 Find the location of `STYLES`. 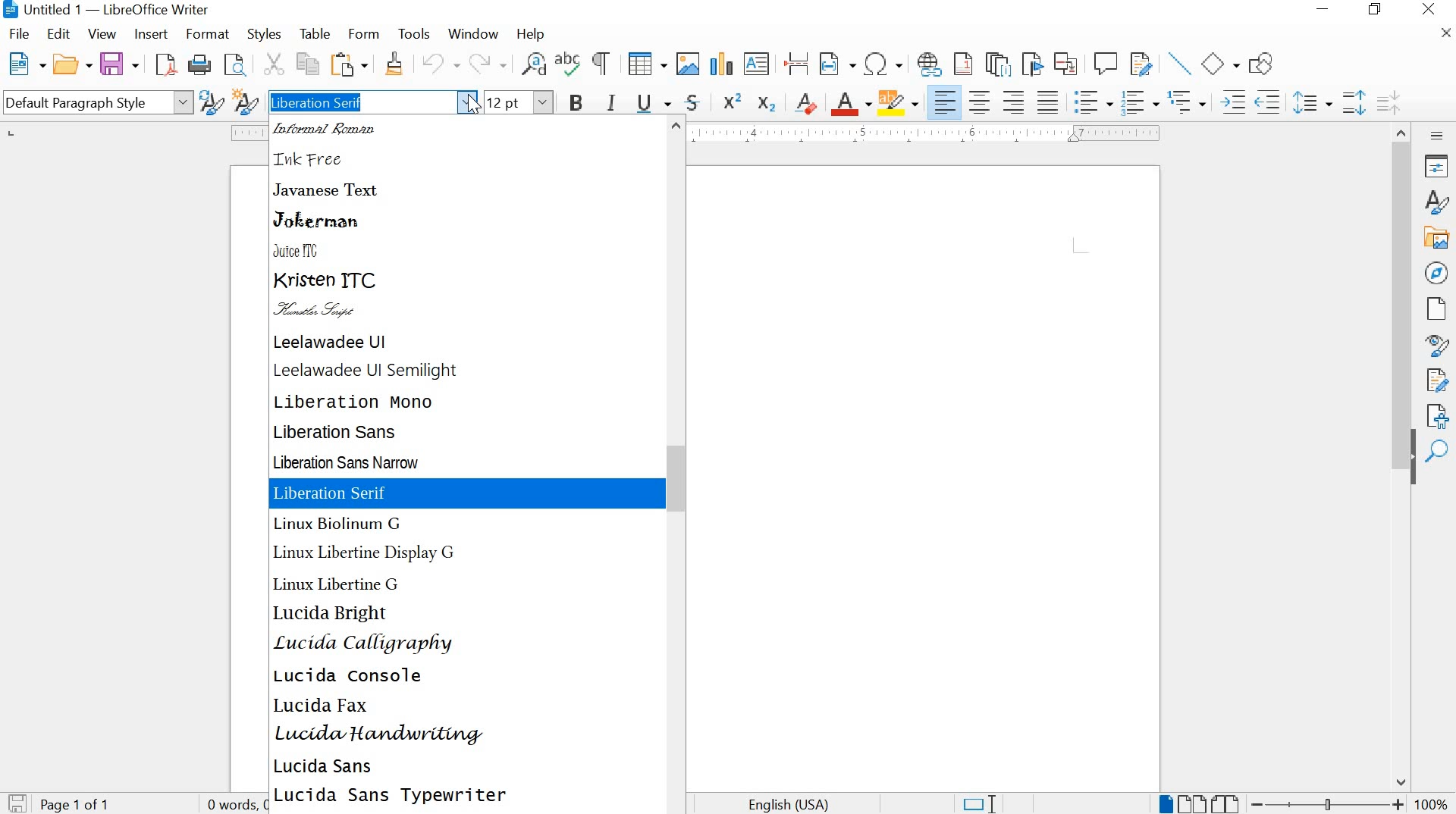

STYLES is located at coordinates (263, 36).